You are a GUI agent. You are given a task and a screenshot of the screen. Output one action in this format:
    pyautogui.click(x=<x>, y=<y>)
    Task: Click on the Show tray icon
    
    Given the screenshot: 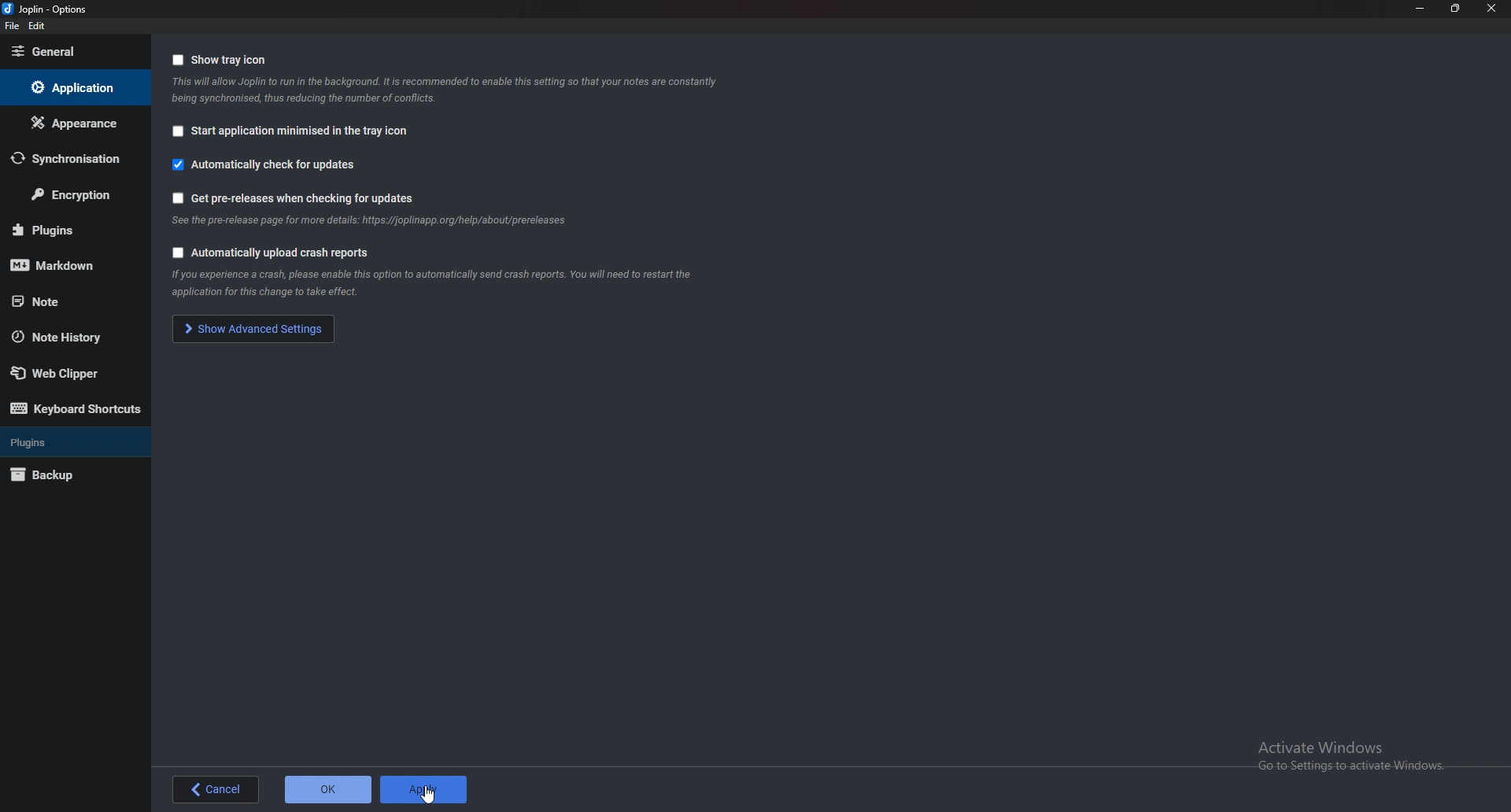 What is the action you would take?
    pyautogui.click(x=230, y=60)
    